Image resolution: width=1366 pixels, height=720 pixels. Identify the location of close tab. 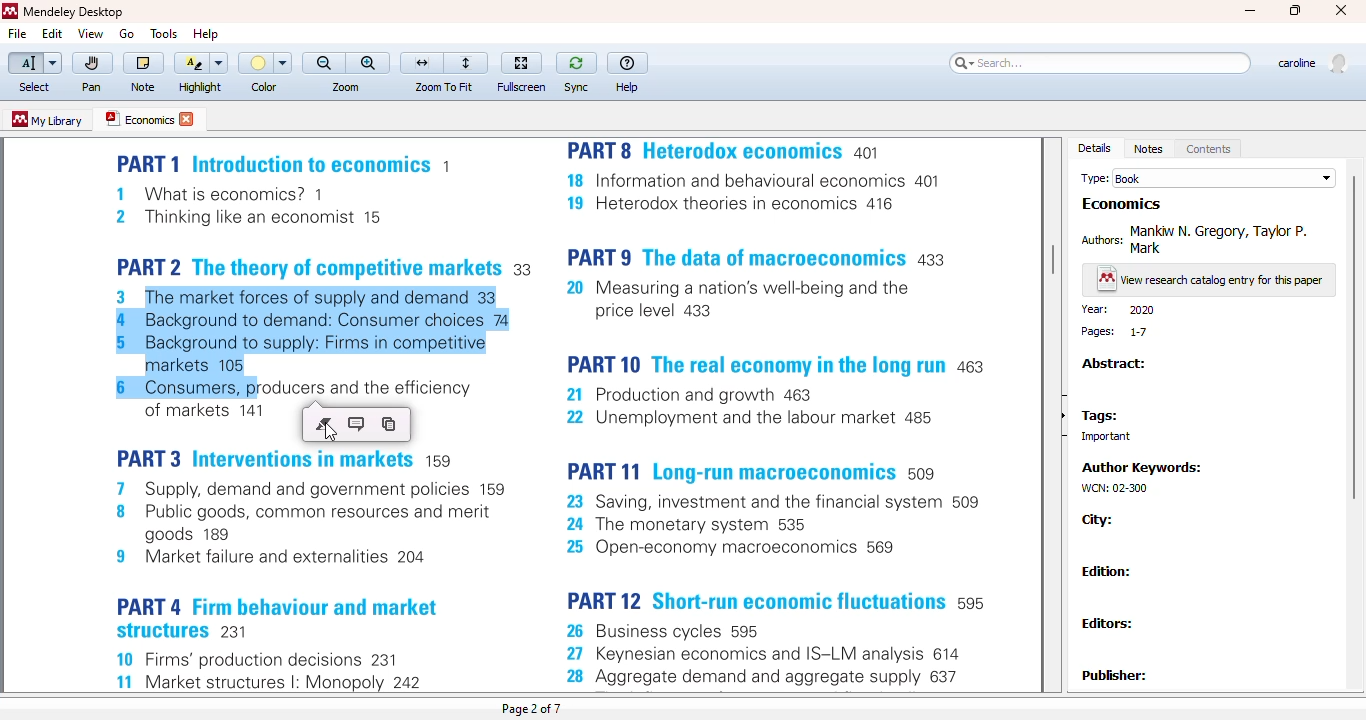
(188, 119).